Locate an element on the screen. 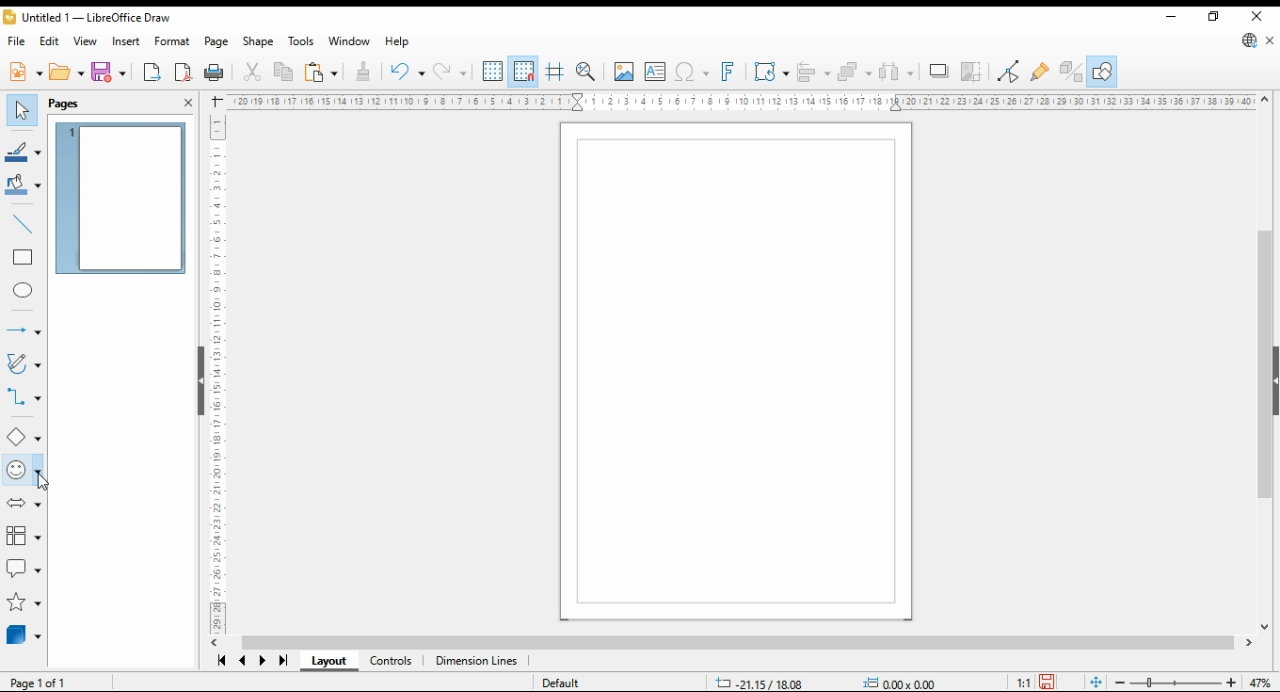  new is located at coordinates (25, 72).